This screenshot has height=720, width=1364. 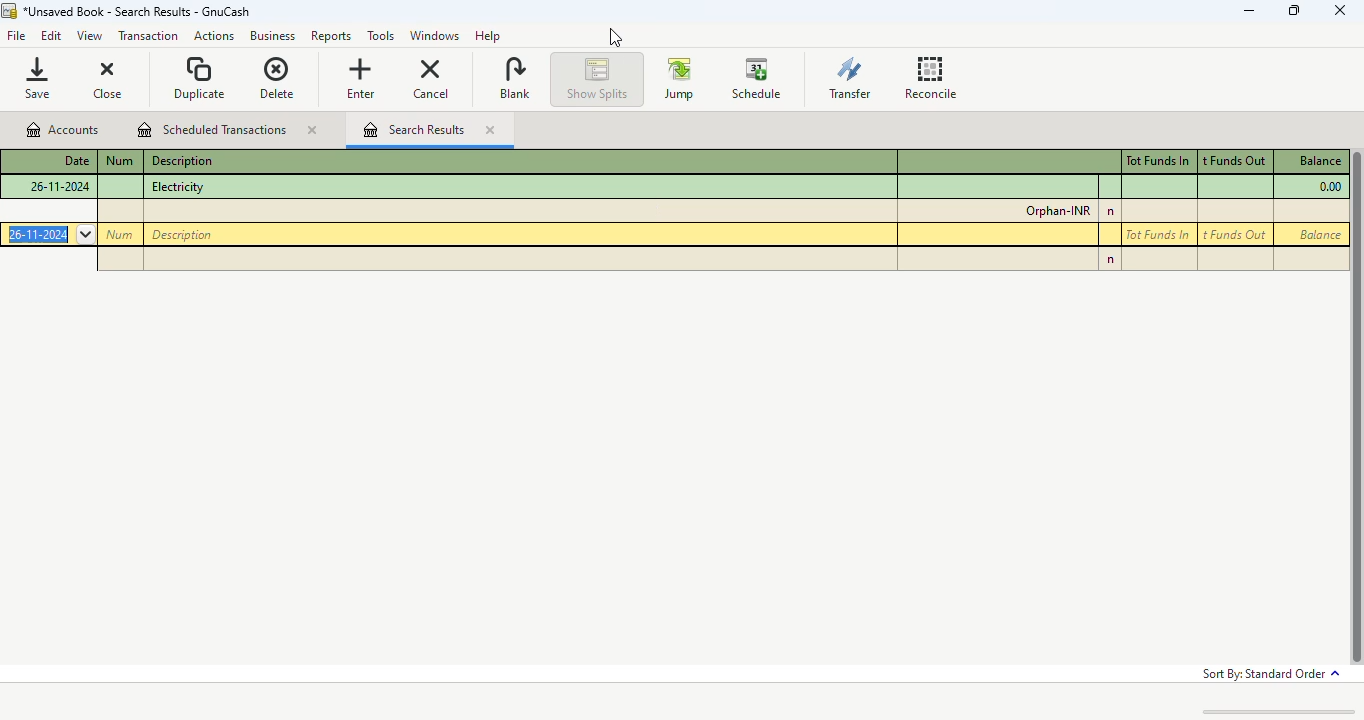 I want to click on minimize, so click(x=1249, y=10).